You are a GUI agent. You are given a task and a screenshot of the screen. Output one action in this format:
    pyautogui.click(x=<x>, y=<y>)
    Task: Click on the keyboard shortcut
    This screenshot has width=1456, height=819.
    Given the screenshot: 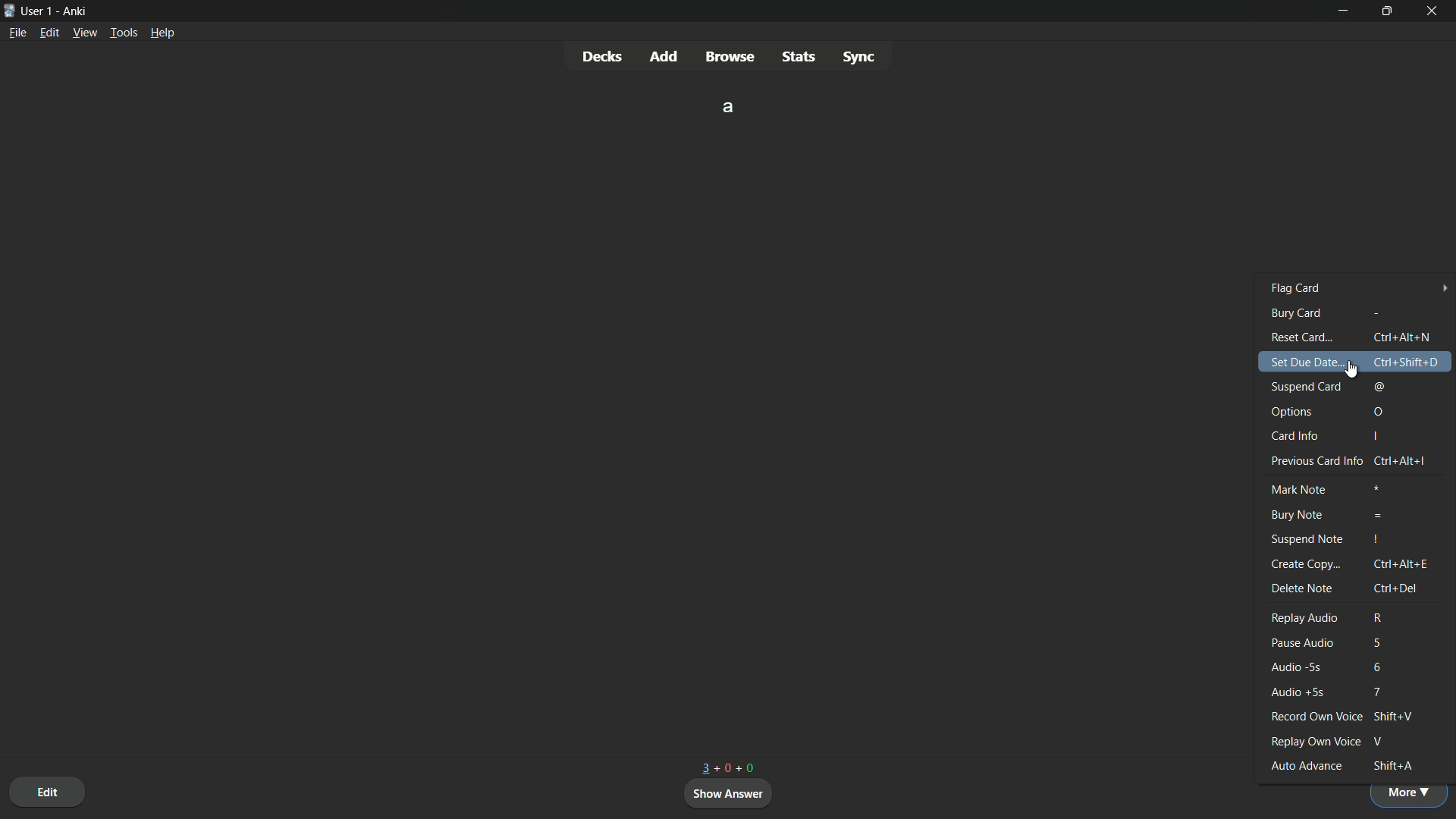 What is the action you would take?
    pyautogui.click(x=1404, y=361)
    